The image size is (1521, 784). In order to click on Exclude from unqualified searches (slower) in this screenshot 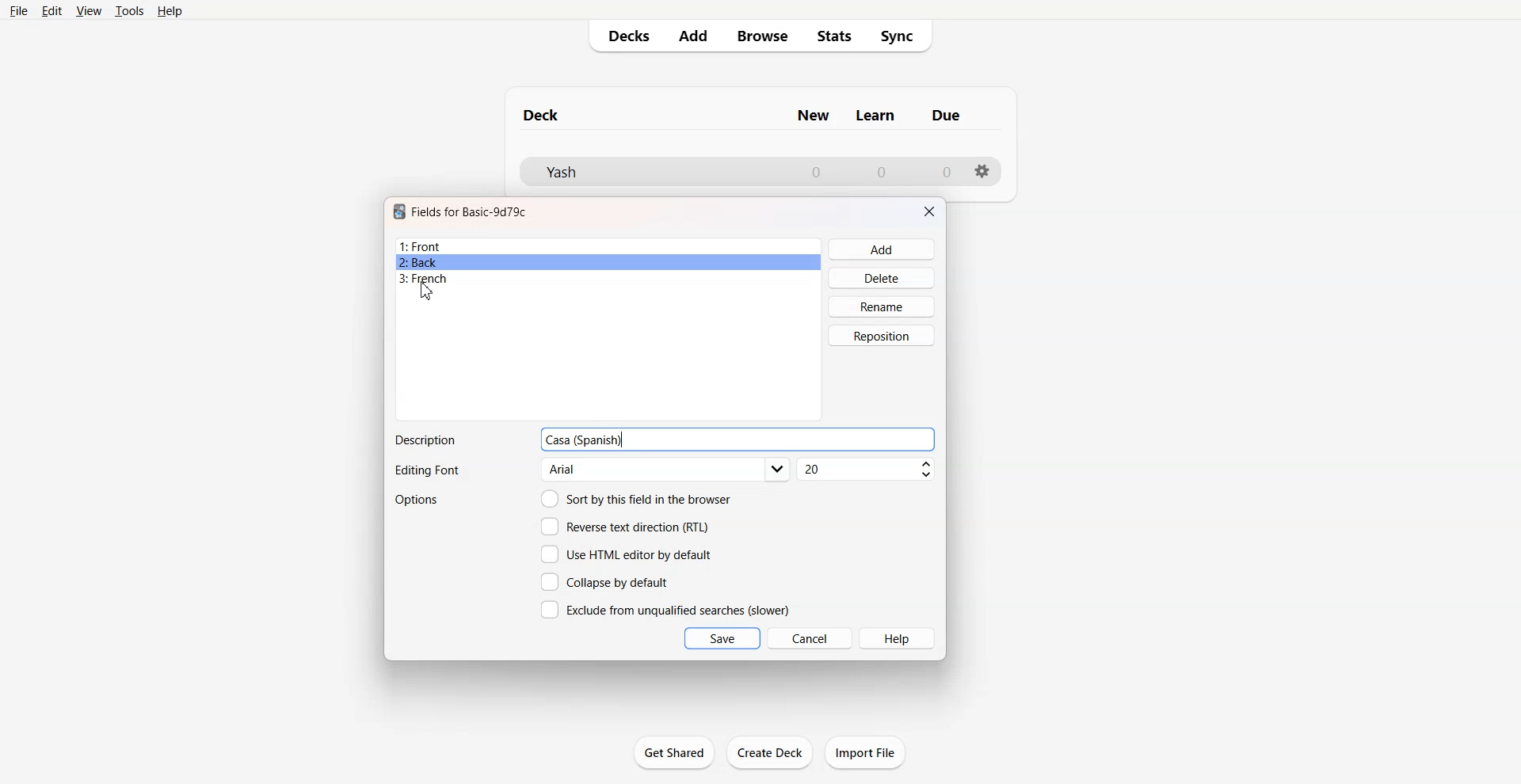, I will do `click(665, 609)`.